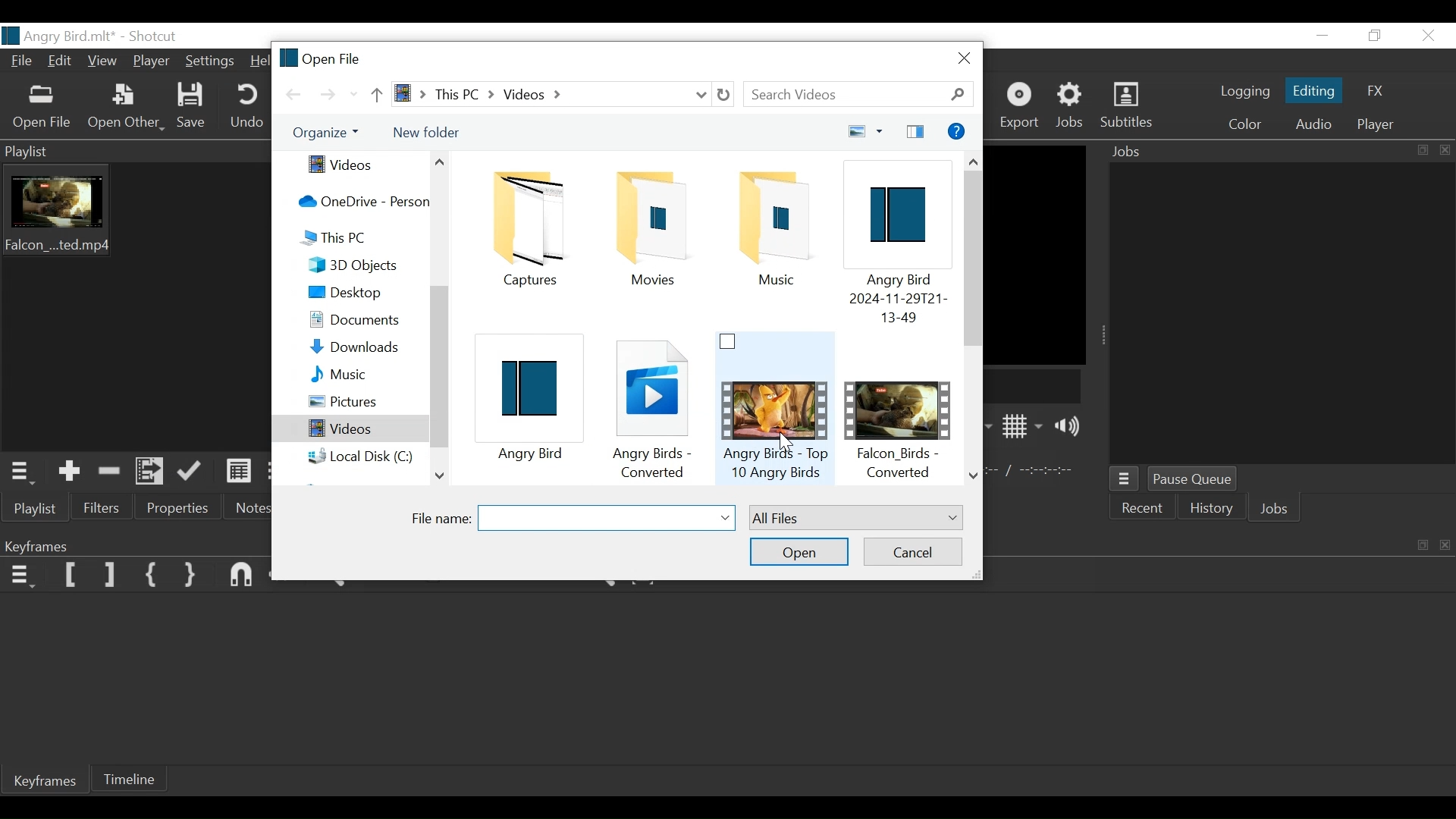 The height and width of the screenshot is (819, 1456). Describe the element at coordinates (1275, 510) in the screenshot. I see `Jobs` at that location.